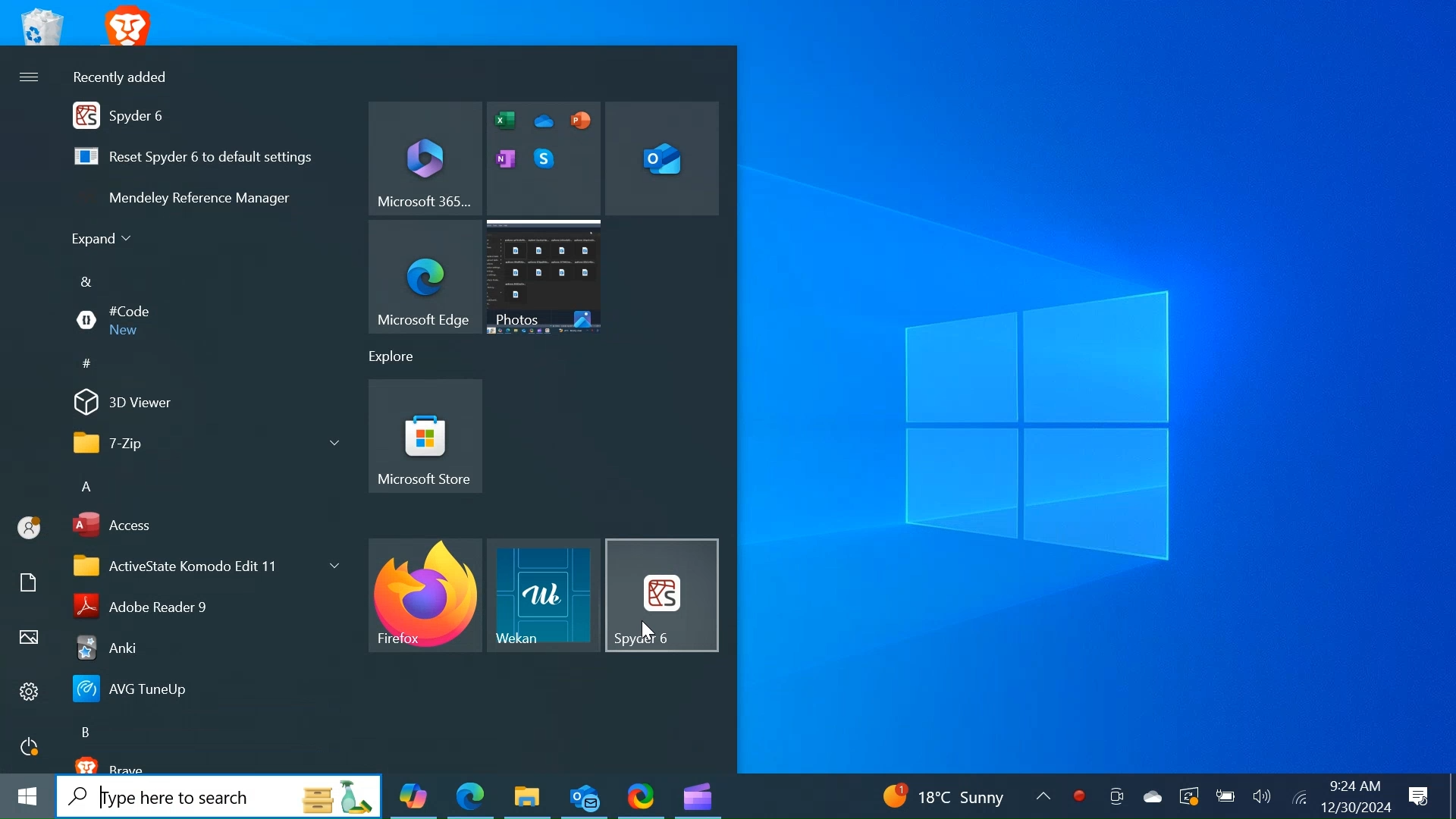 The height and width of the screenshot is (819, 1456). I want to click on Microsoft Outlook, so click(664, 158).